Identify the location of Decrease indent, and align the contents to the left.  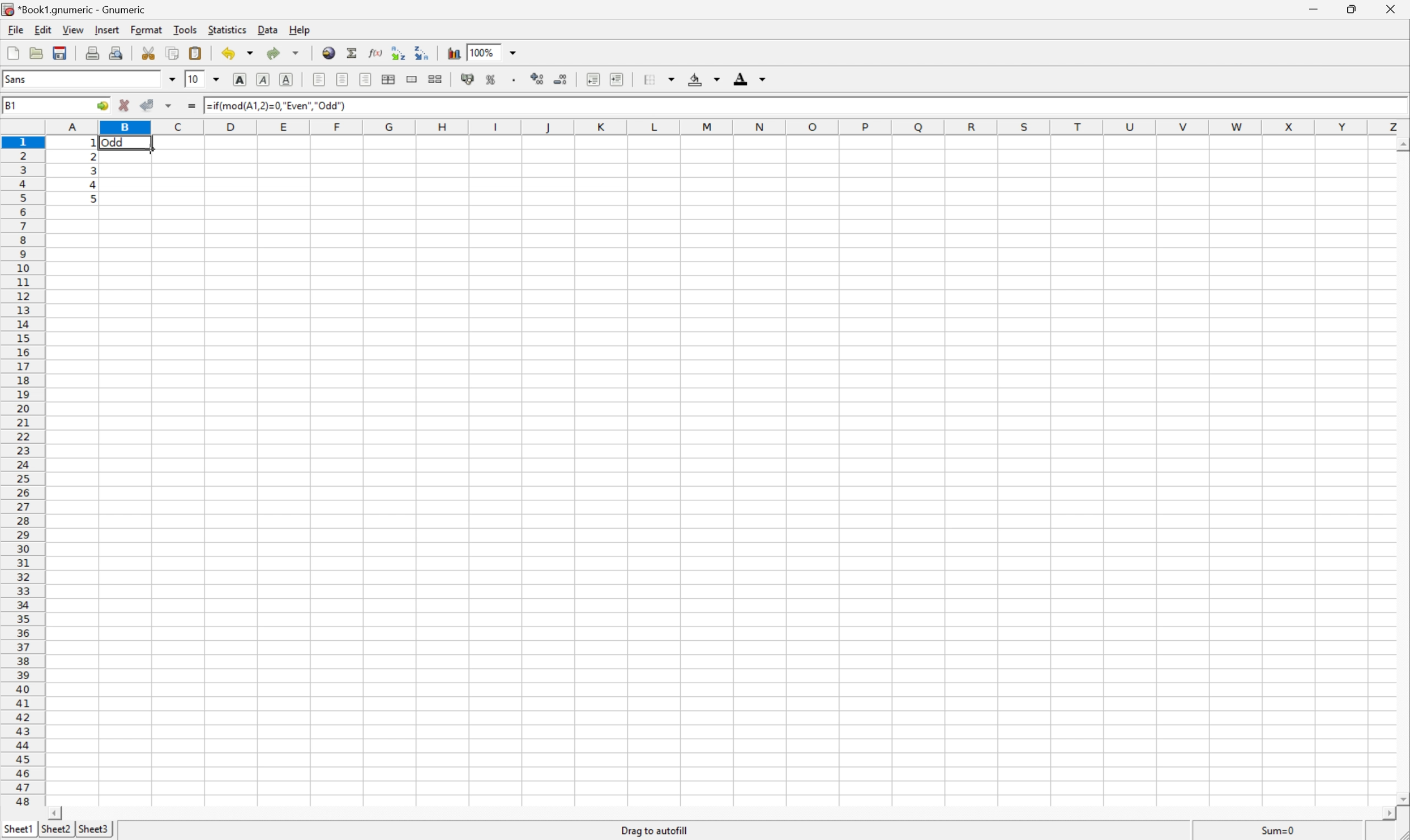
(593, 77).